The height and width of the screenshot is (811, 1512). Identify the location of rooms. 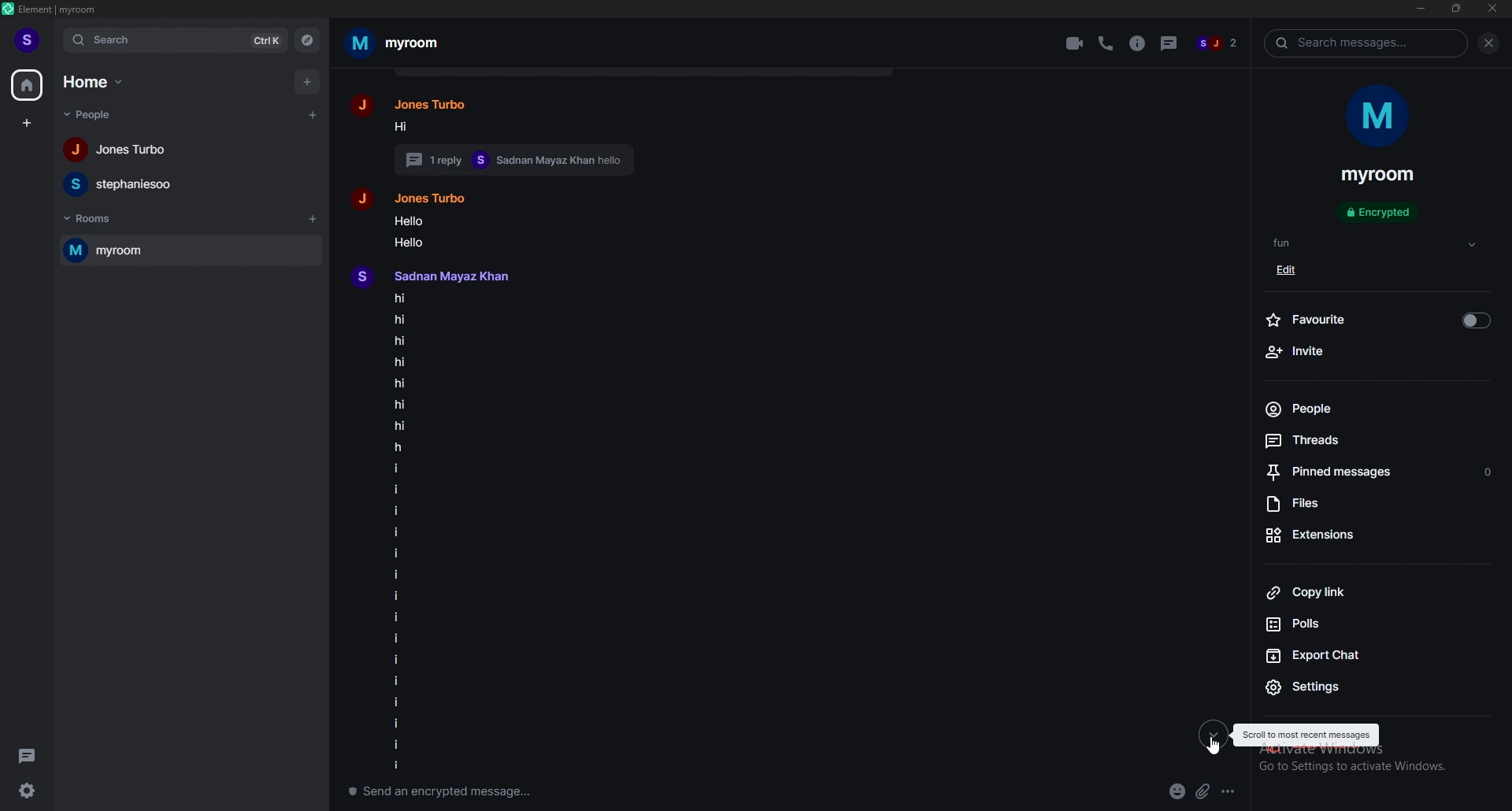
(92, 220).